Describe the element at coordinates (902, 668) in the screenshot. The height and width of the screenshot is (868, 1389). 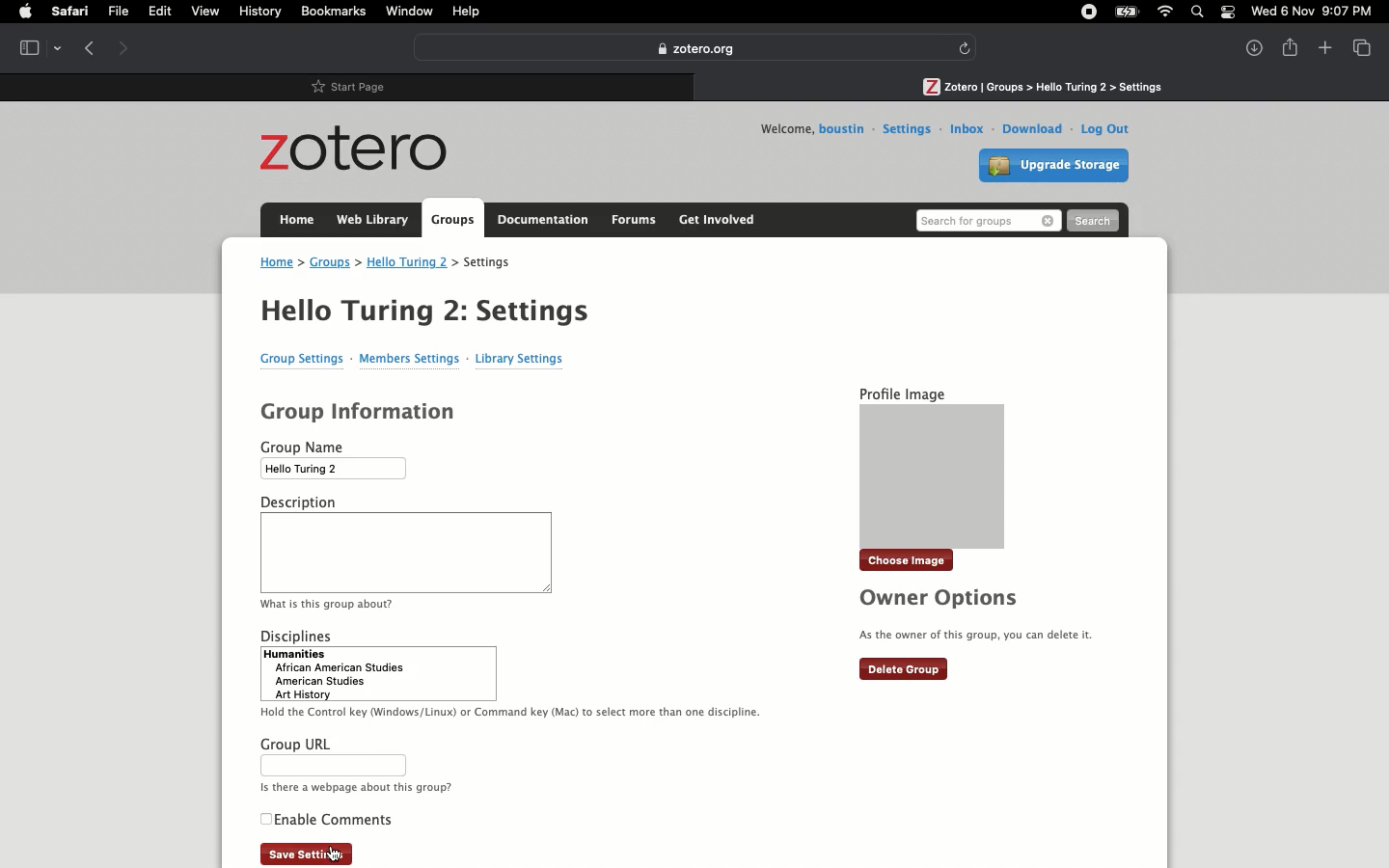
I see `Delete group` at that location.